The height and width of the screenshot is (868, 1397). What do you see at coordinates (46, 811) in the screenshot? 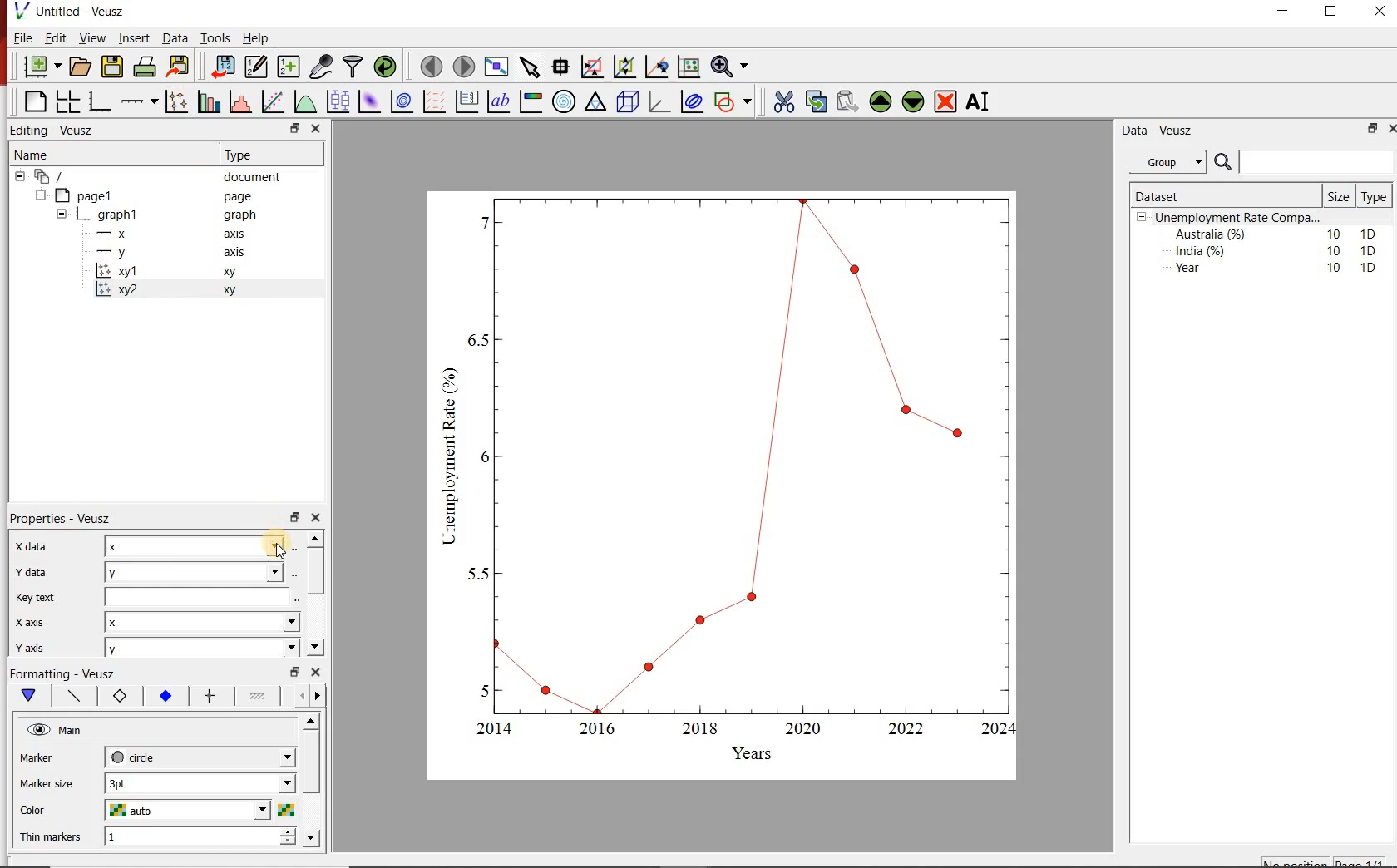
I see `color` at bounding box center [46, 811].